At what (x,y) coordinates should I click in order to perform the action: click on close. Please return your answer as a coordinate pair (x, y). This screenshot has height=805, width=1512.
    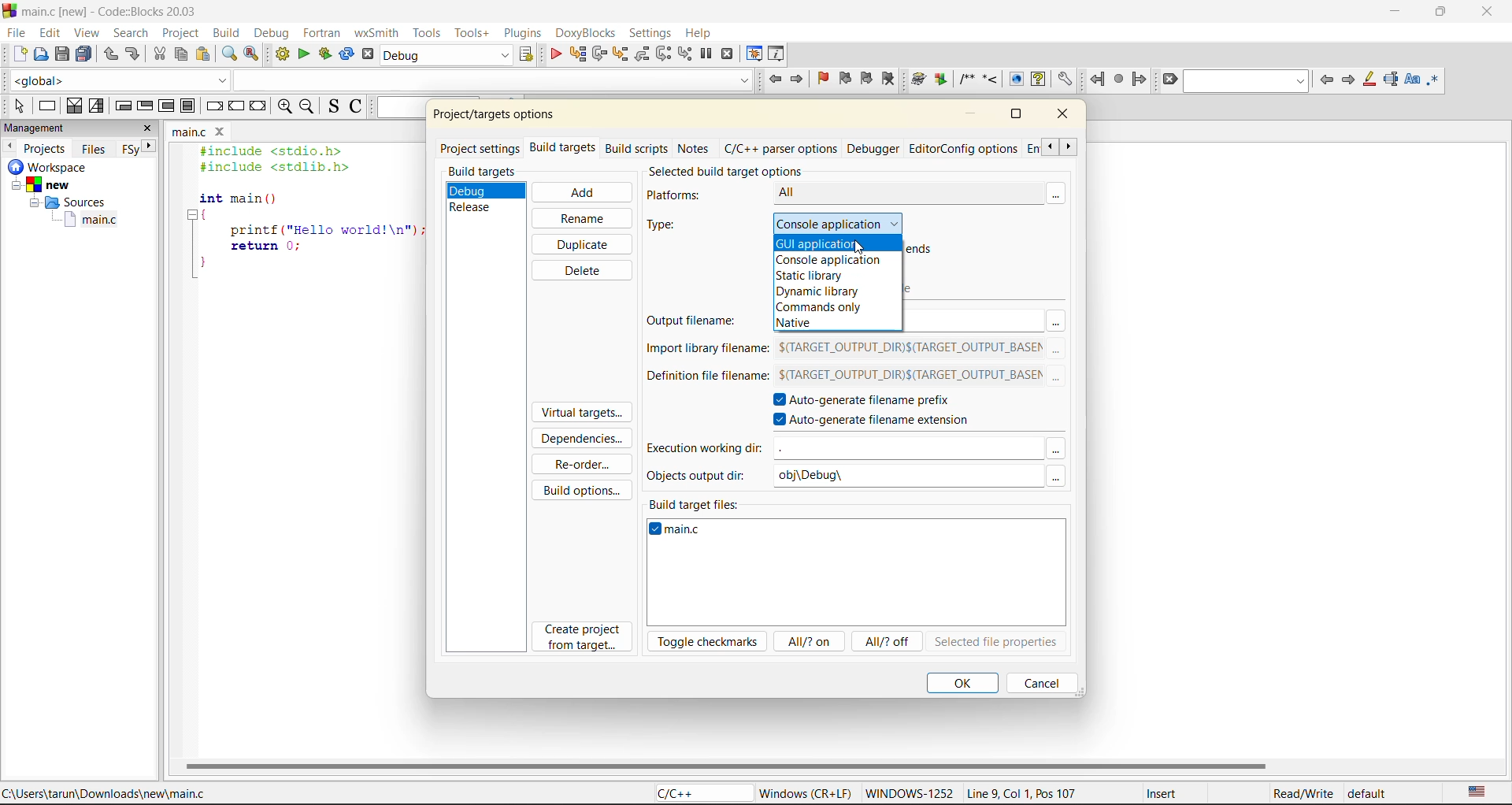
    Looking at the image, I should click on (1064, 114).